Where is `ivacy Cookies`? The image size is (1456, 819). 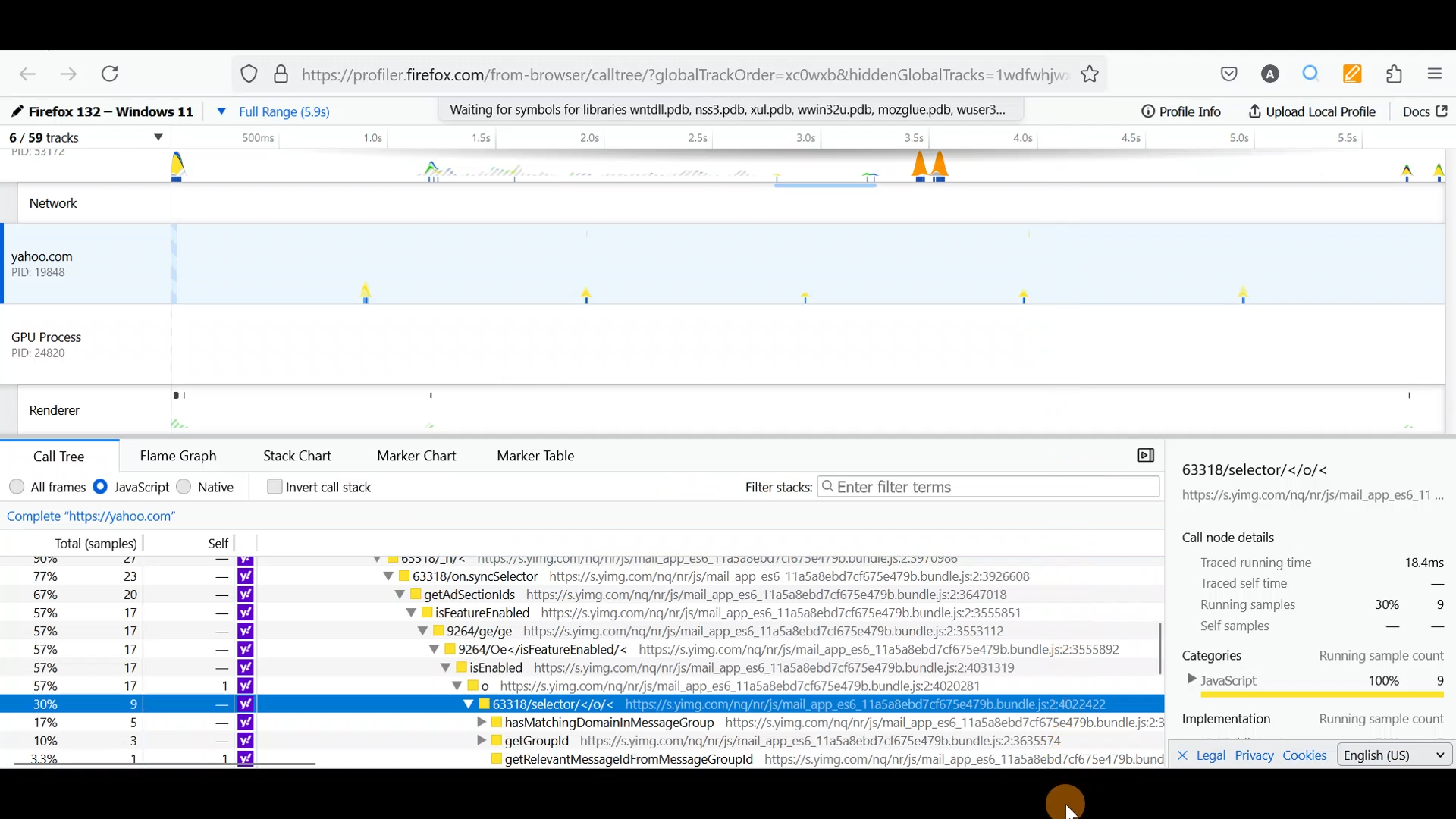
ivacy Cookies is located at coordinates (1280, 756).